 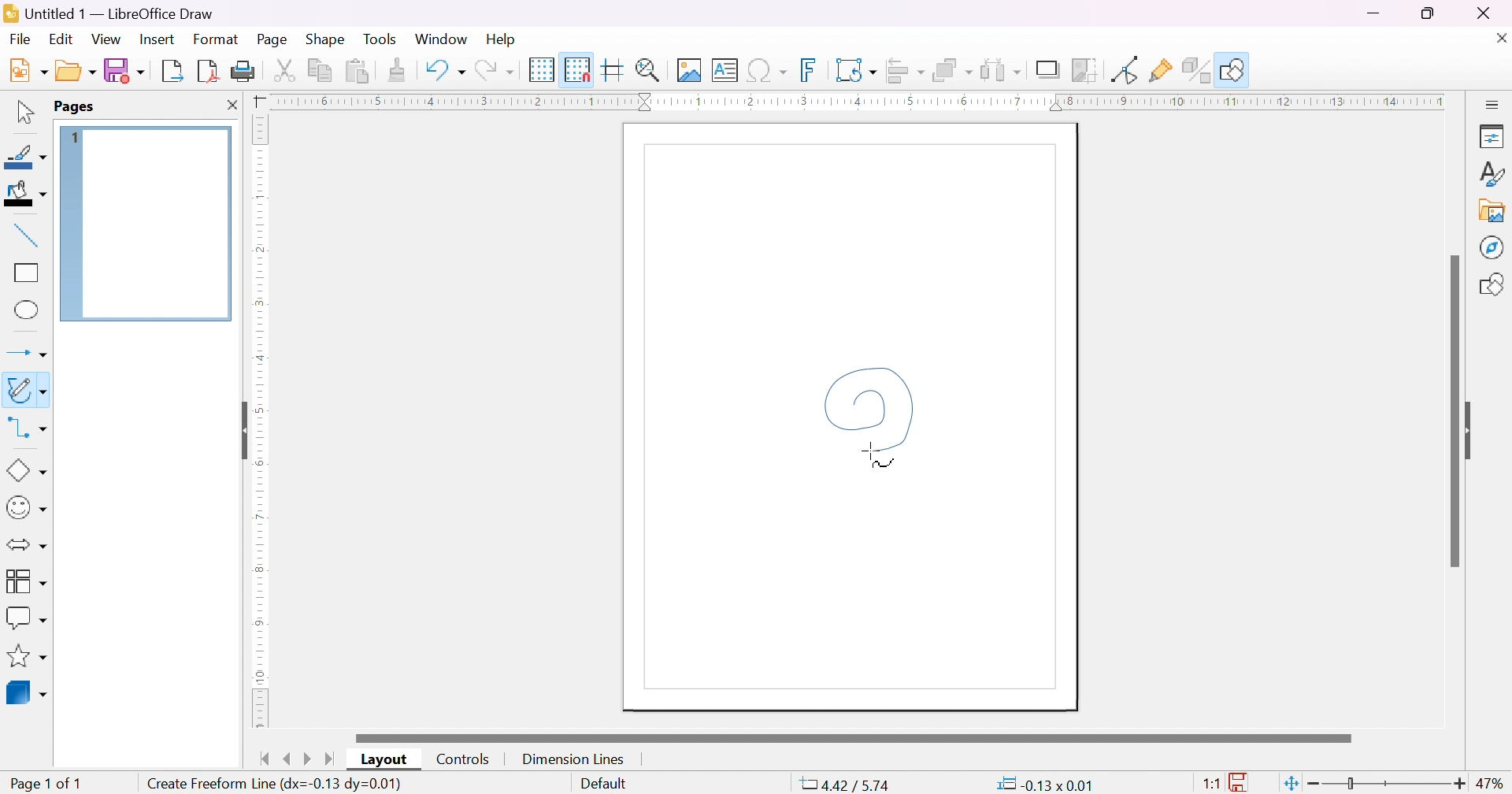 I want to click on insert text box, so click(x=724, y=70).